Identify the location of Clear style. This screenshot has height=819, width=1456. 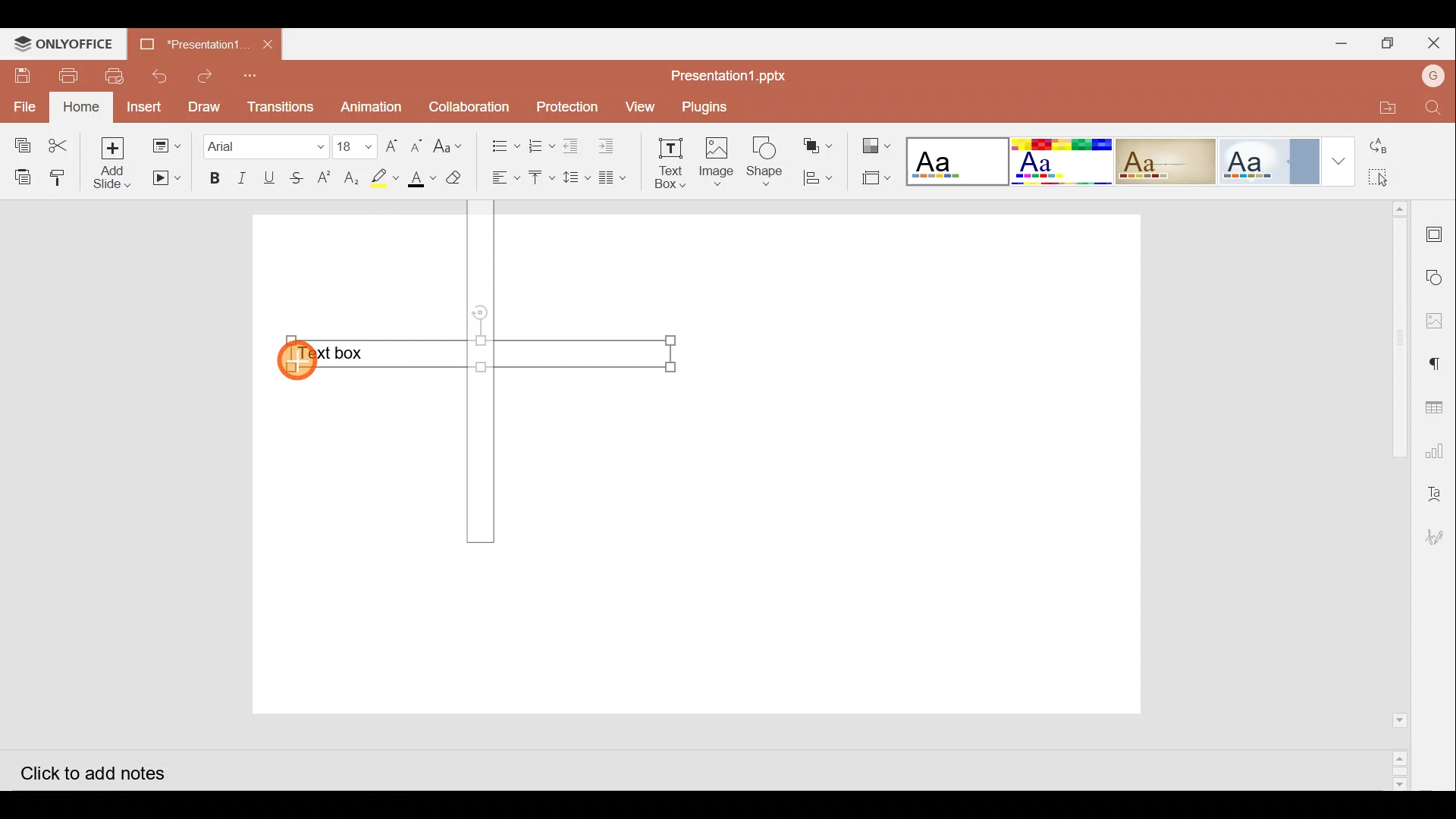
(456, 181).